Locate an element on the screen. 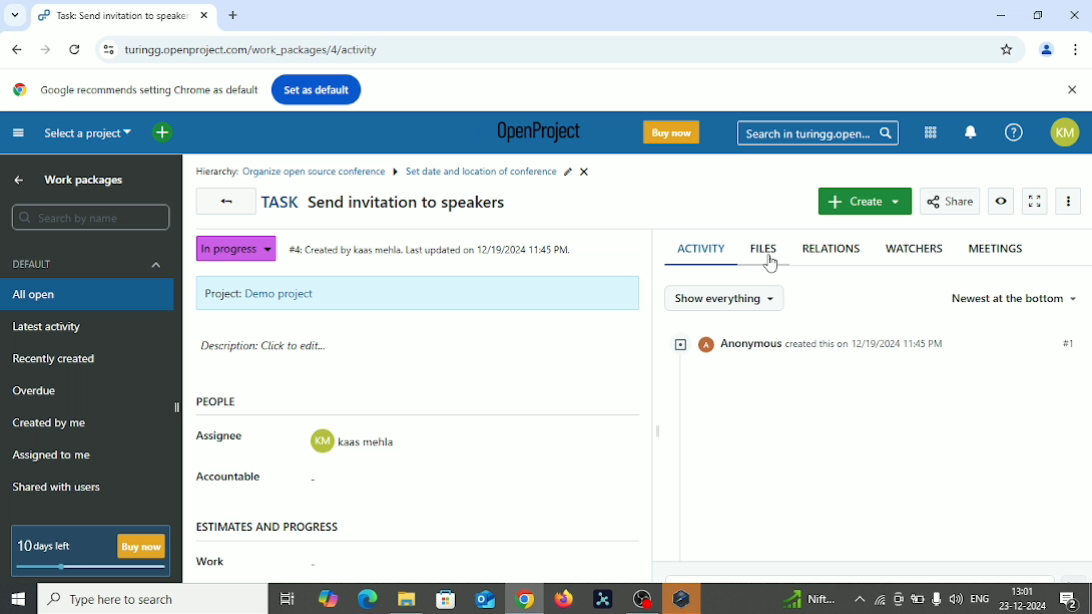  All open is located at coordinates (47, 295).